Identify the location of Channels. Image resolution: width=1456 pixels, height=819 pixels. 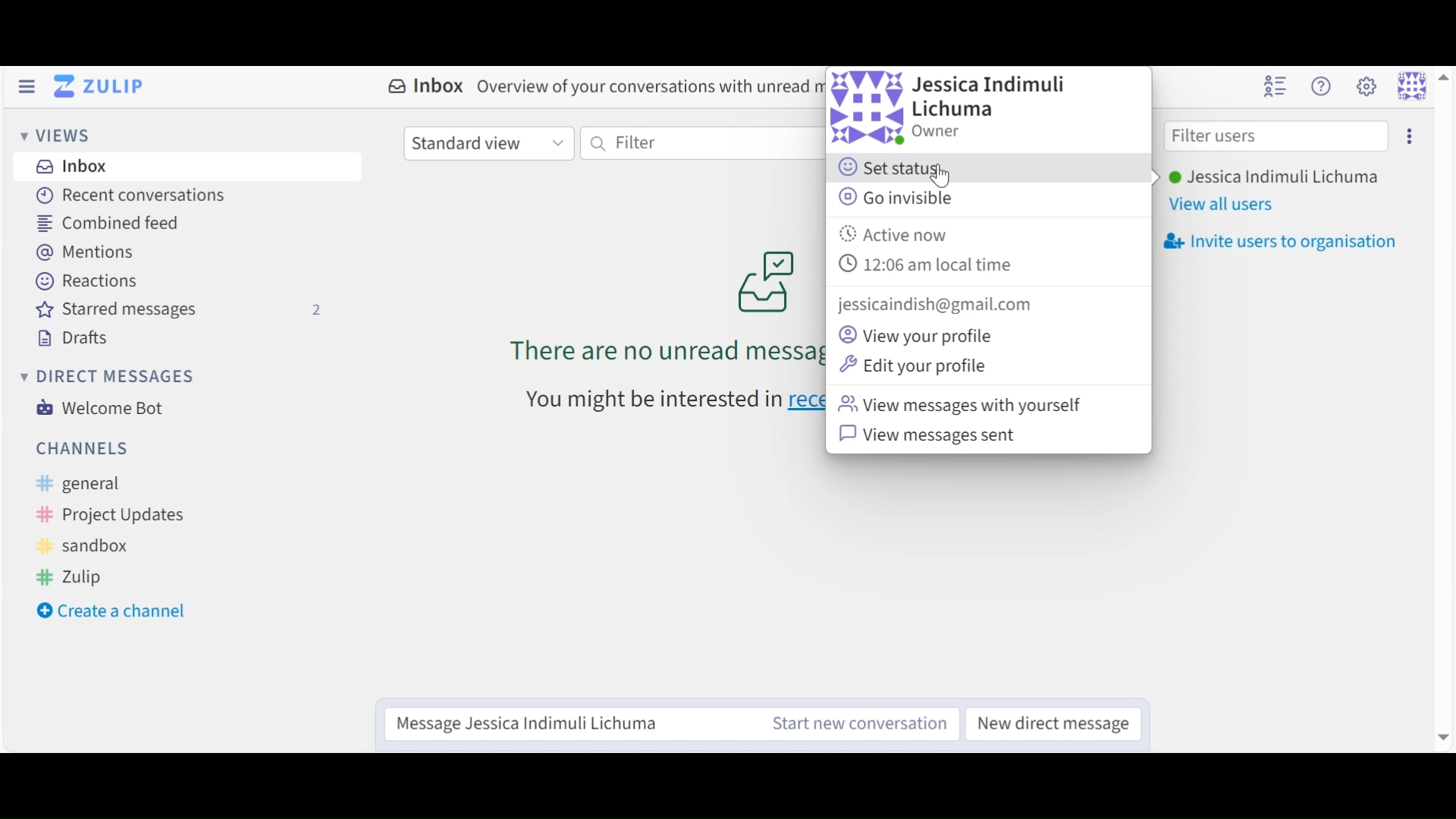
(83, 447).